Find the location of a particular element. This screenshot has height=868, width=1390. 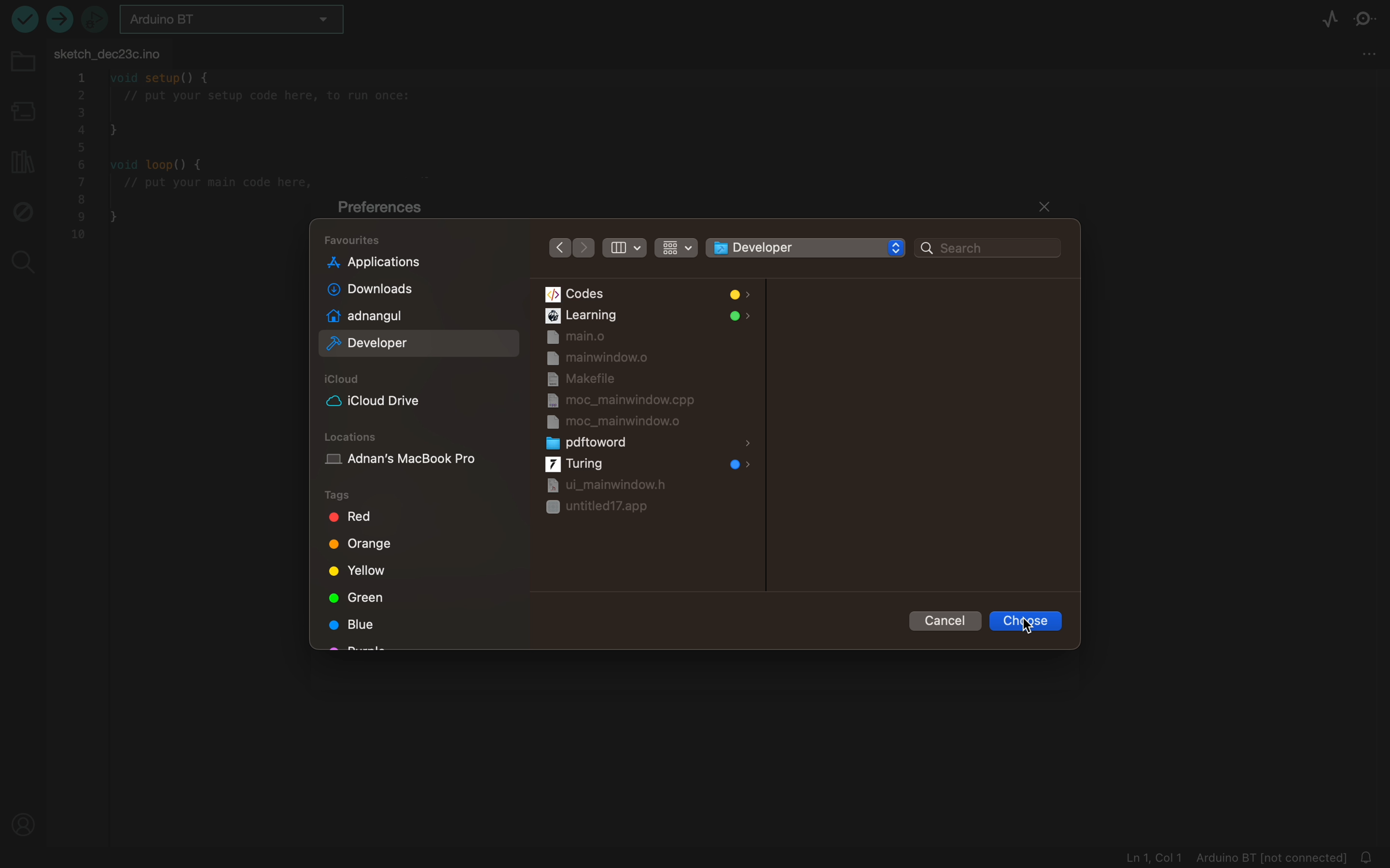

red is located at coordinates (350, 518).